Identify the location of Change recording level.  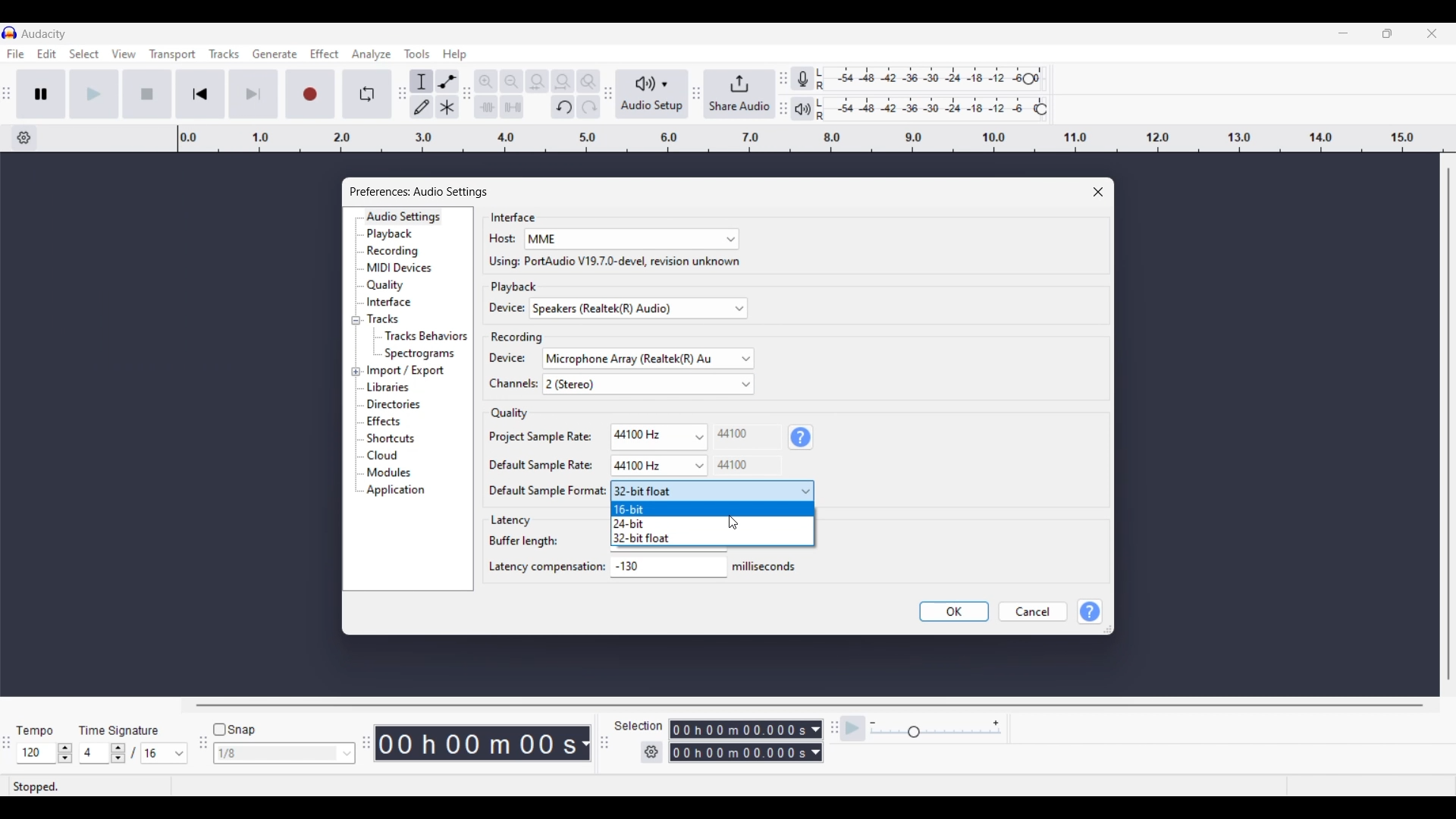
(1028, 78).